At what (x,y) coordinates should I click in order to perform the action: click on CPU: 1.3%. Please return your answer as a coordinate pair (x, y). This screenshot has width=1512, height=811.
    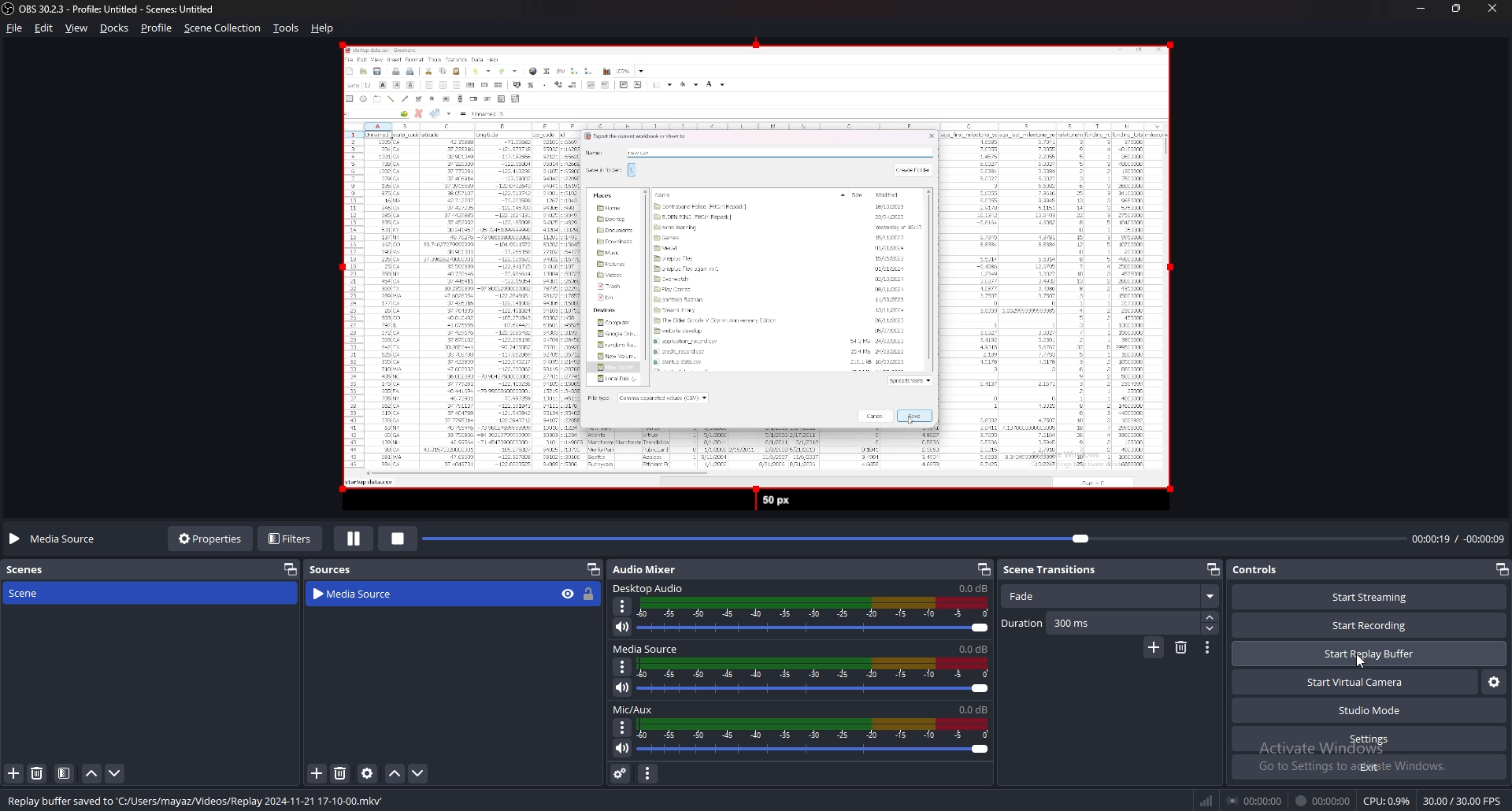
    Looking at the image, I should click on (1387, 801).